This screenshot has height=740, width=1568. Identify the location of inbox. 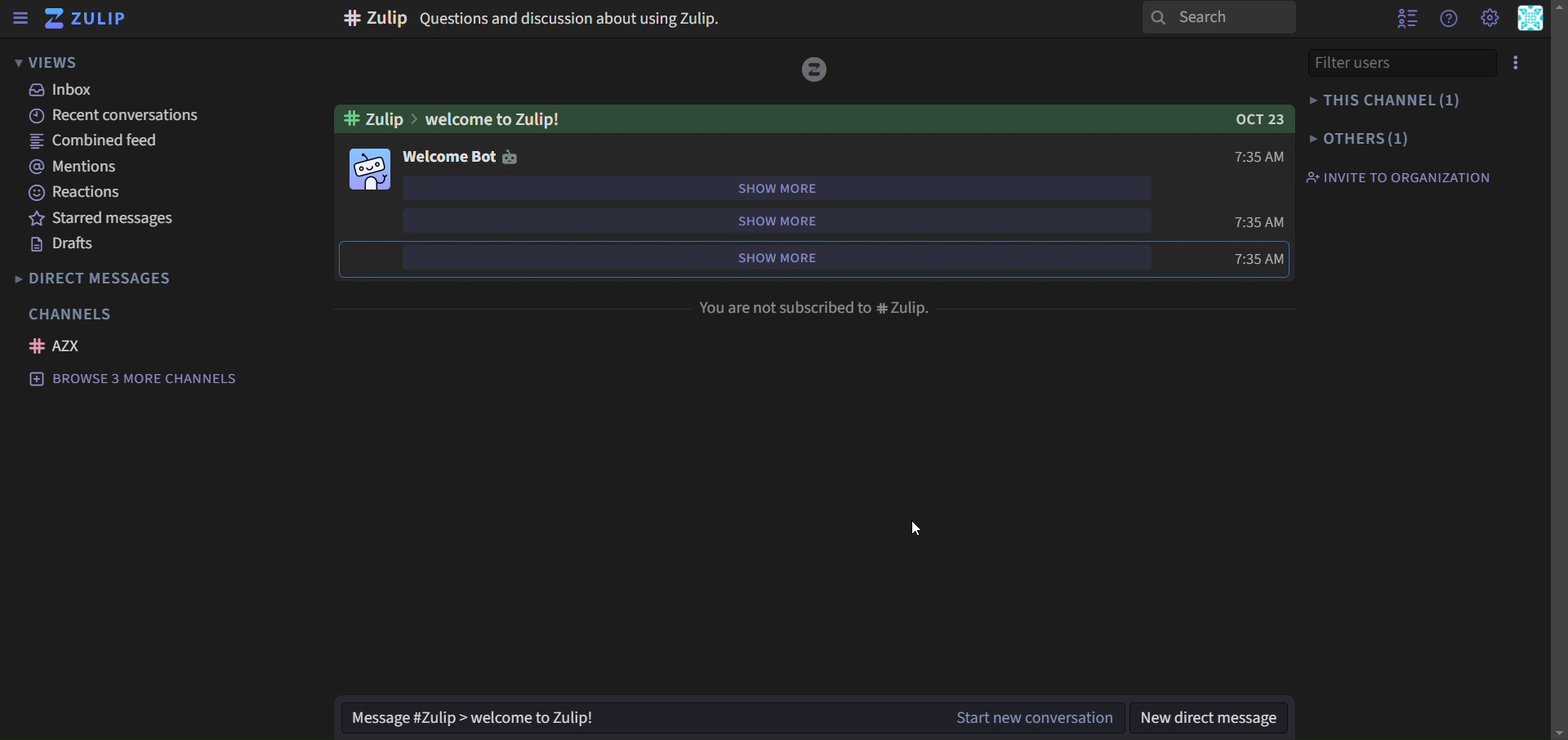
(65, 91).